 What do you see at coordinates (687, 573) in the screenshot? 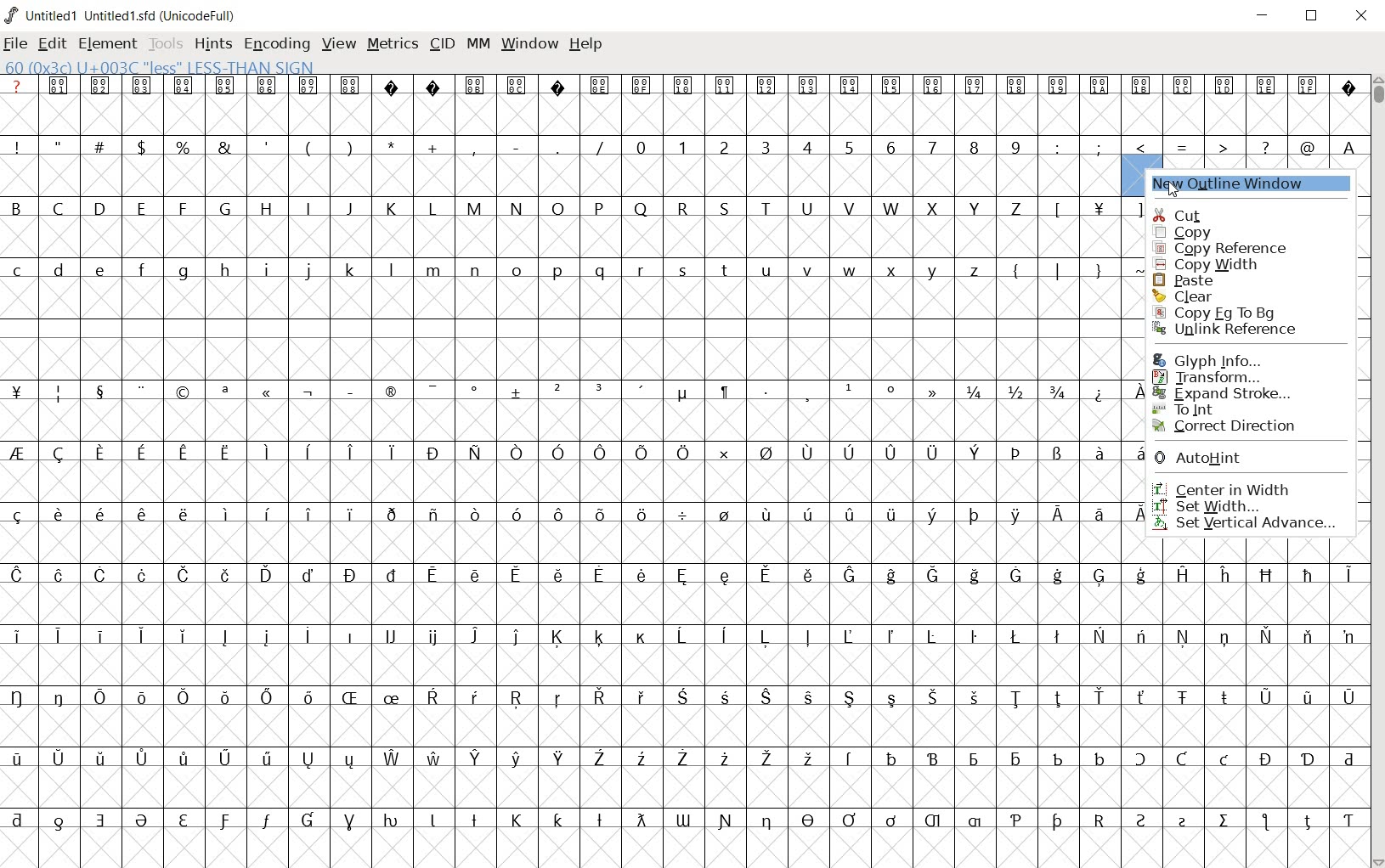
I see `special letters` at bounding box center [687, 573].